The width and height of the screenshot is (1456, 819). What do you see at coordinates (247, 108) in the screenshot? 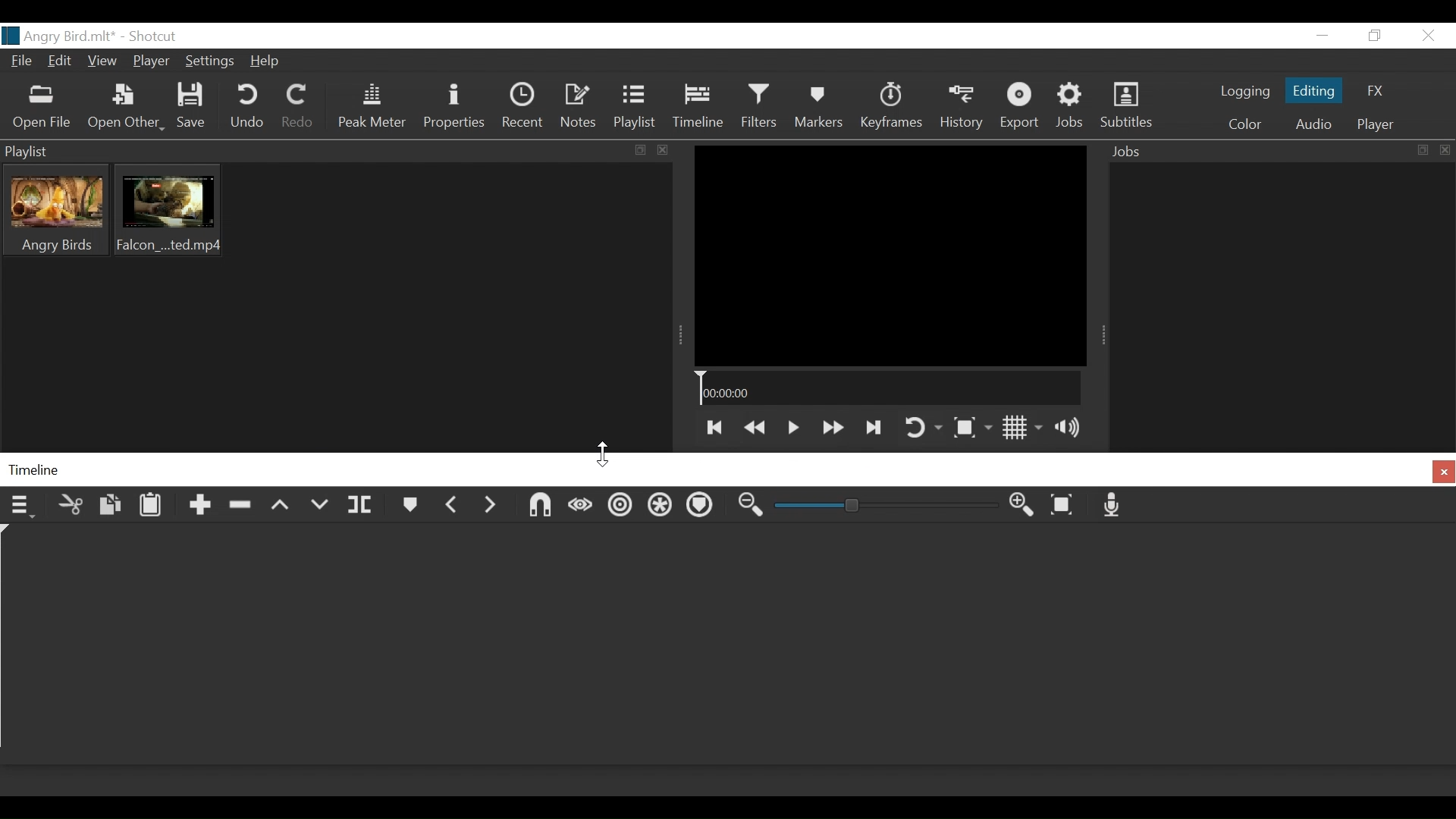
I see `Undo` at bounding box center [247, 108].